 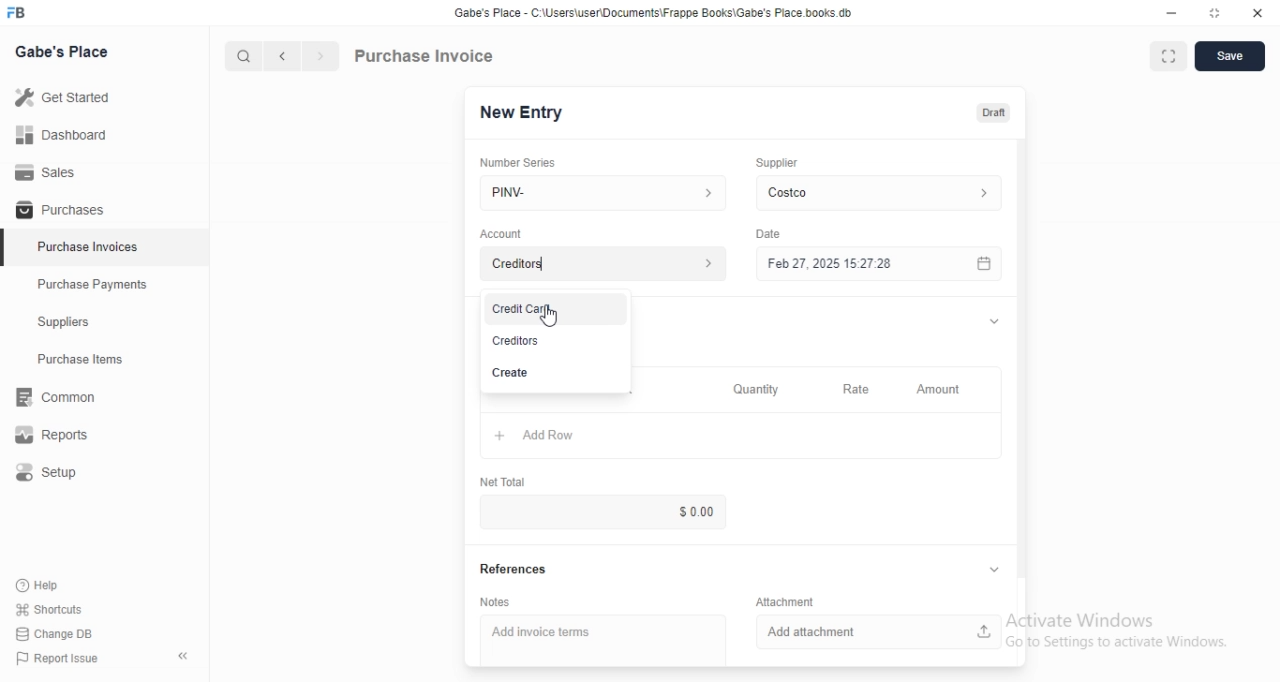 What do you see at coordinates (503, 482) in the screenshot?
I see `Net Total` at bounding box center [503, 482].